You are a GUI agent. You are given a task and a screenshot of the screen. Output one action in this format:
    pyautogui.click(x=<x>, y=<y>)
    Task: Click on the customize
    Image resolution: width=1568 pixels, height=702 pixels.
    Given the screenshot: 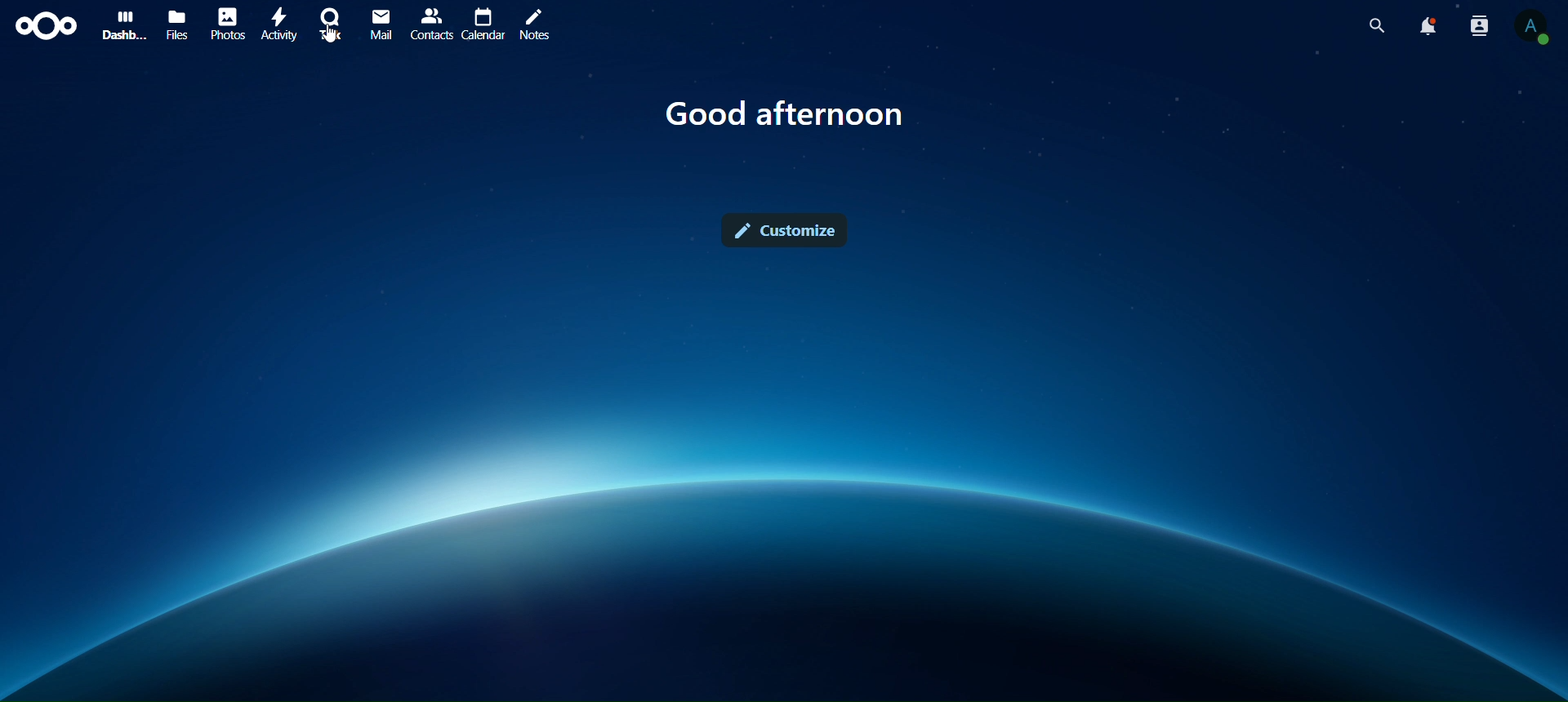 What is the action you would take?
    pyautogui.click(x=786, y=229)
    